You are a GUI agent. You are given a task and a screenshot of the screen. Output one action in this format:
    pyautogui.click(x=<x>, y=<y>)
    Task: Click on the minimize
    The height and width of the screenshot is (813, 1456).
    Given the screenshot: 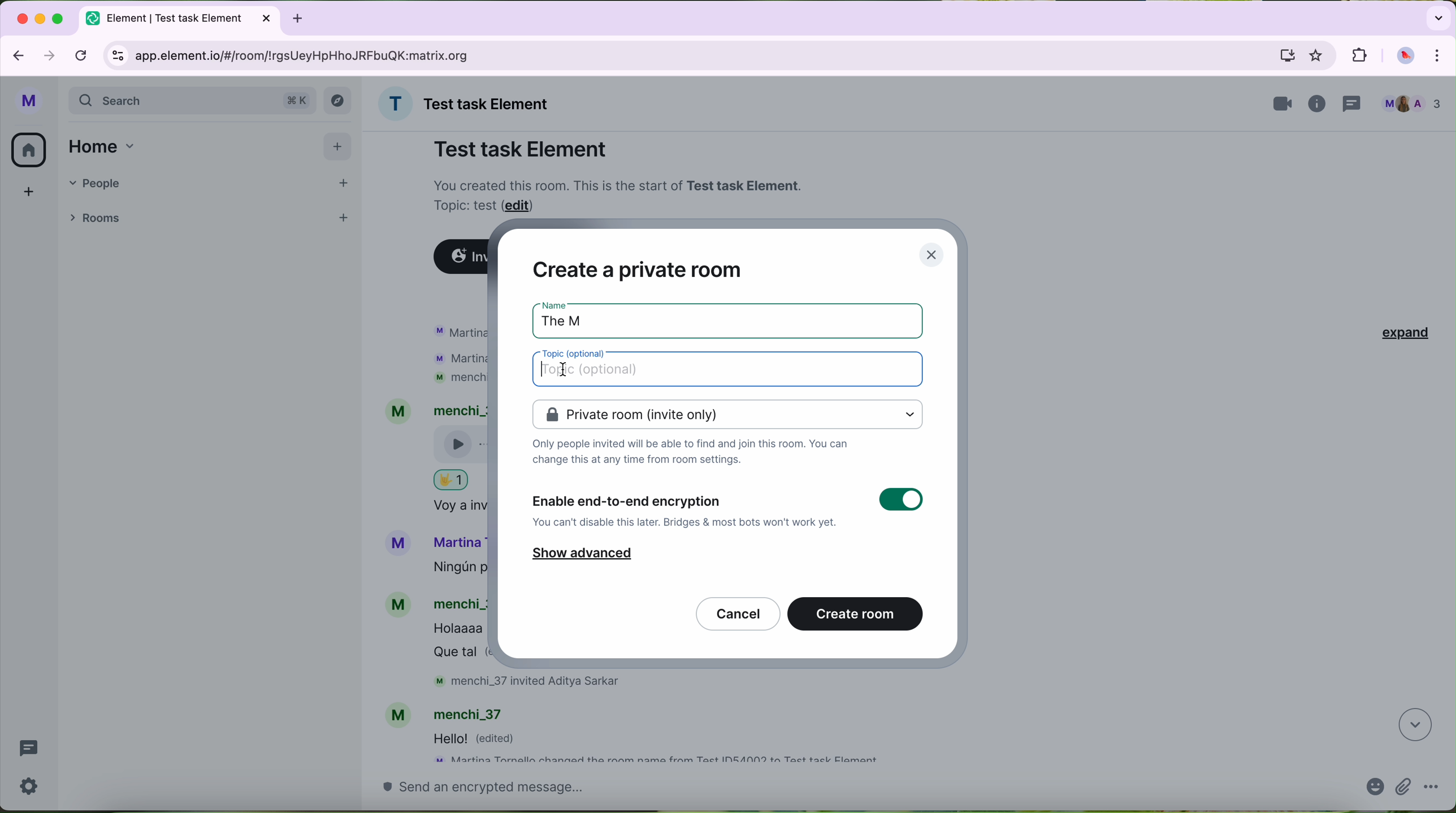 What is the action you would take?
    pyautogui.click(x=42, y=19)
    